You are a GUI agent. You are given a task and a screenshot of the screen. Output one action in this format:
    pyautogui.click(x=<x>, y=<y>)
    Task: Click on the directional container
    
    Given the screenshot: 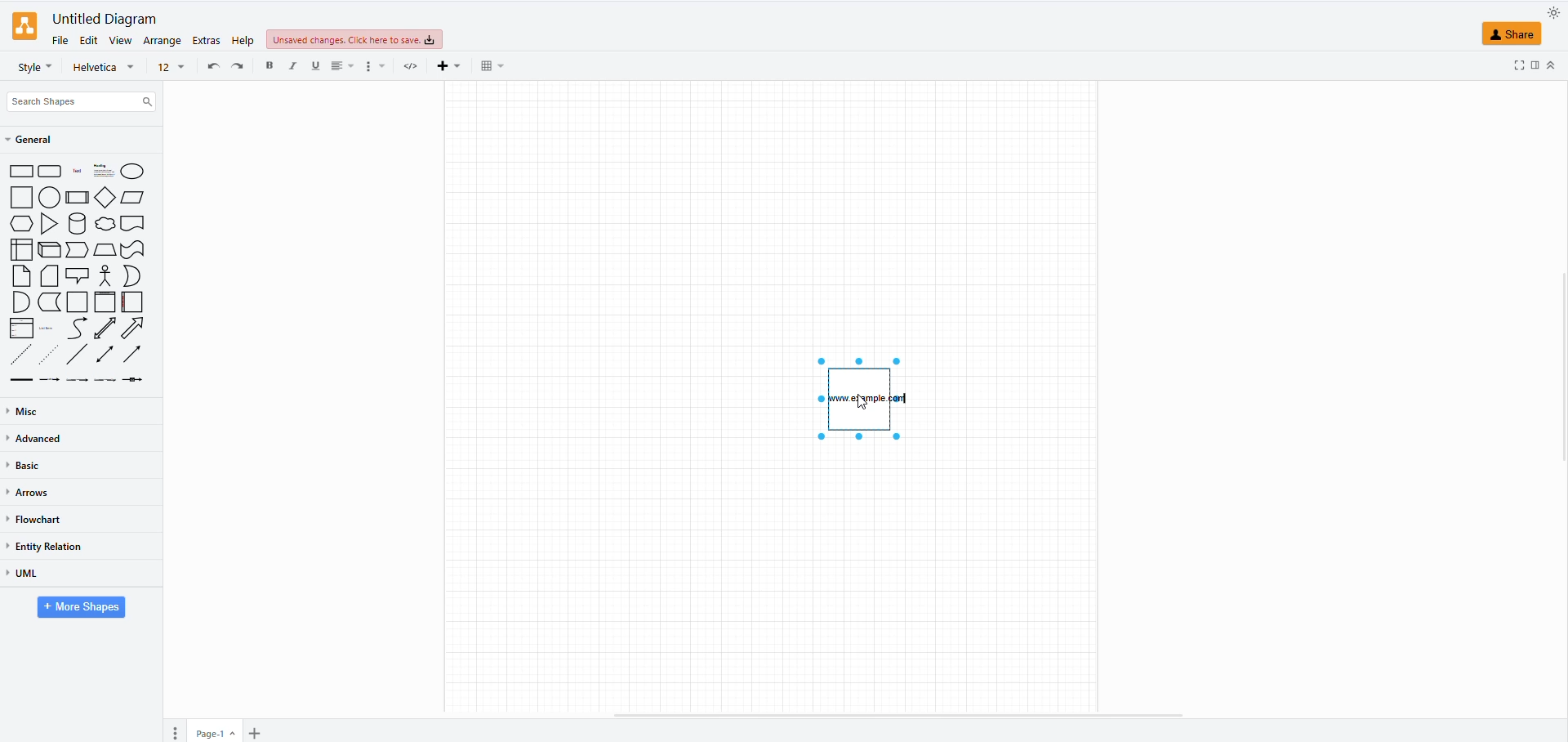 What is the action you would take?
    pyautogui.click(x=136, y=357)
    